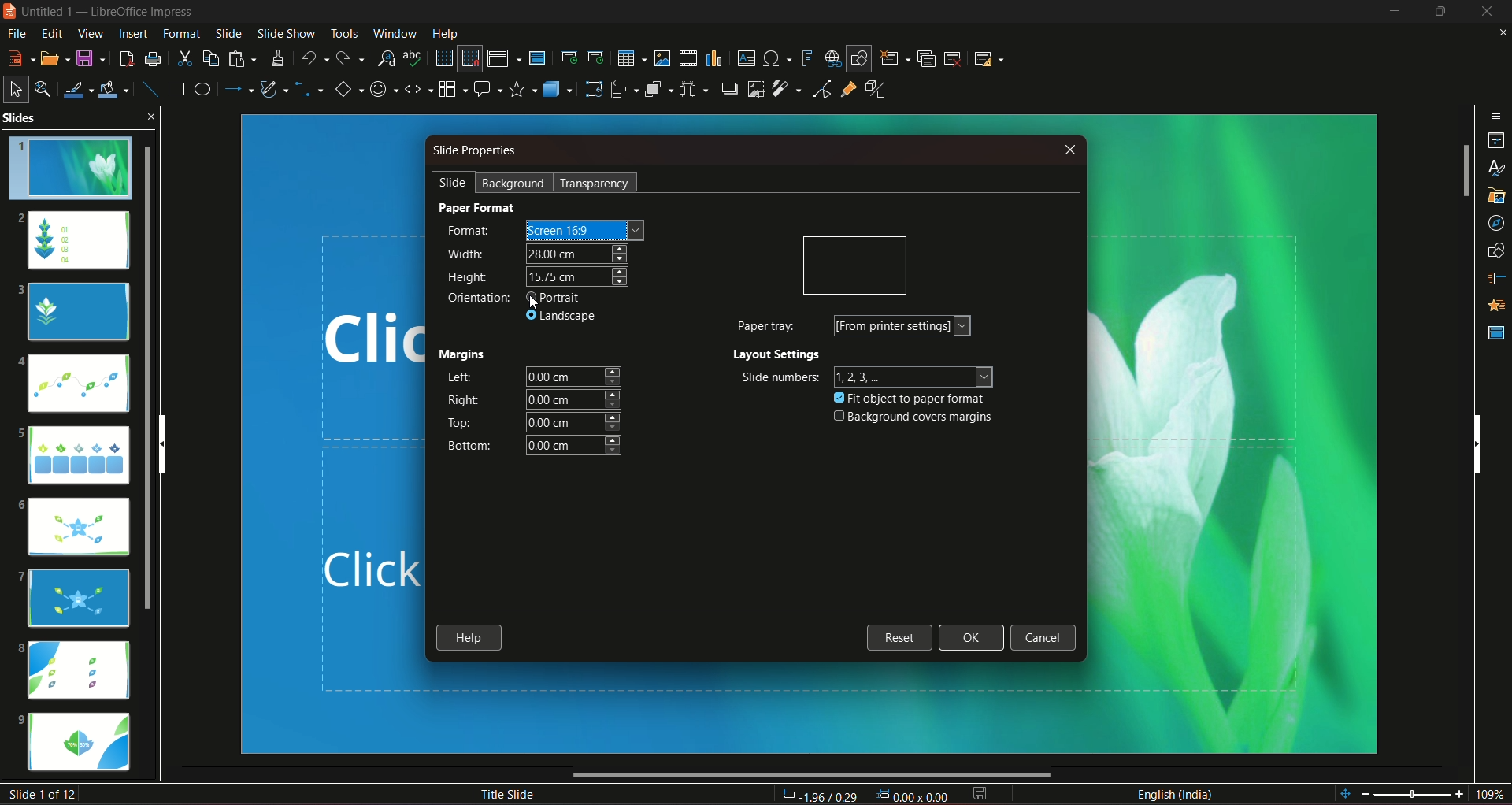 Image resolution: width=1512 pixels, height=805 pixels. What do you see at coordinates (861, 264) in the screenshot?
I see `orientation` at bounding box center [861, 264].